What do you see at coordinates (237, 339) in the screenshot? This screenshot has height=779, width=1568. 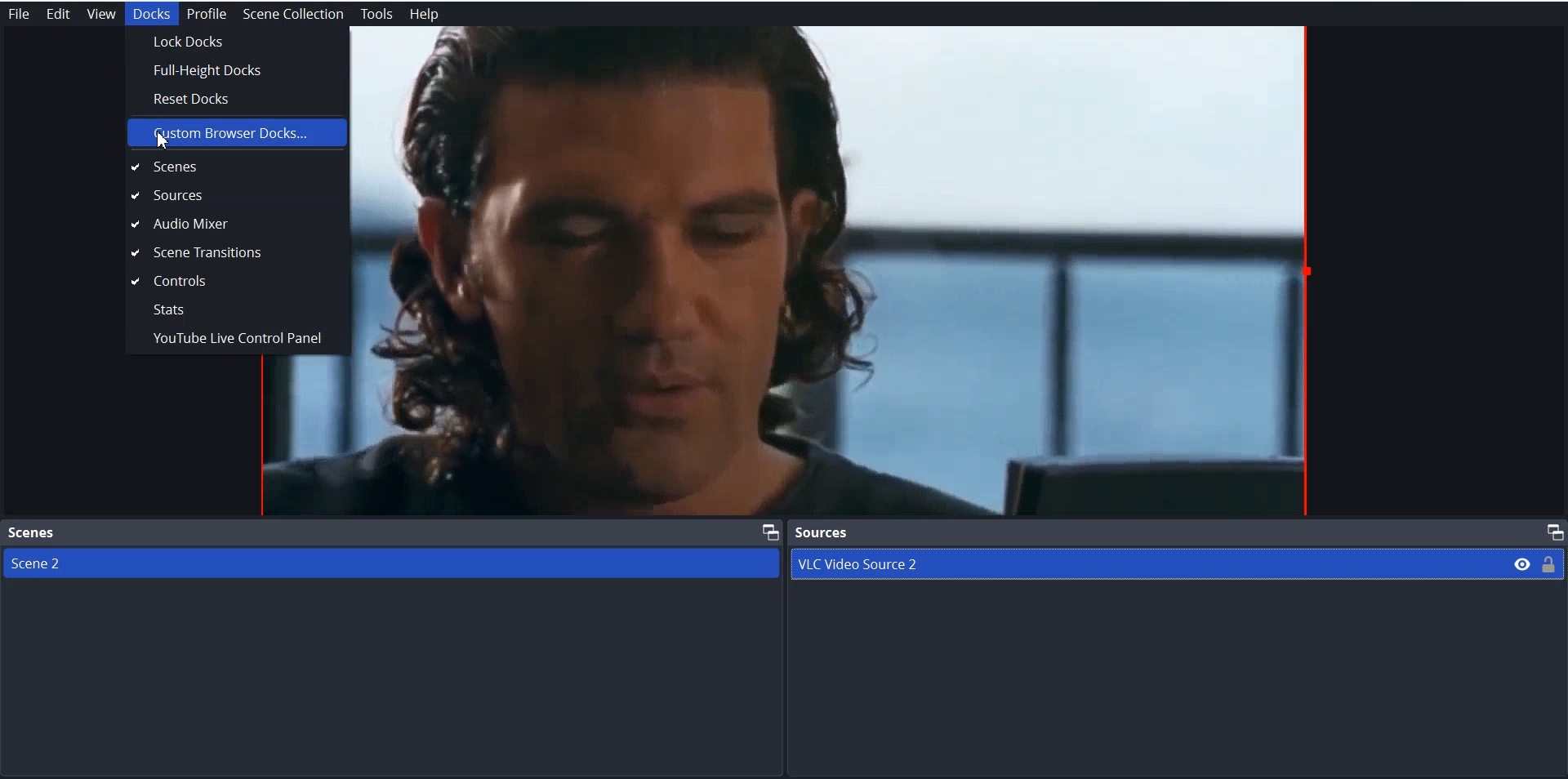 I see `Youtube Live Control Panel` at bounding box center [237, 339].